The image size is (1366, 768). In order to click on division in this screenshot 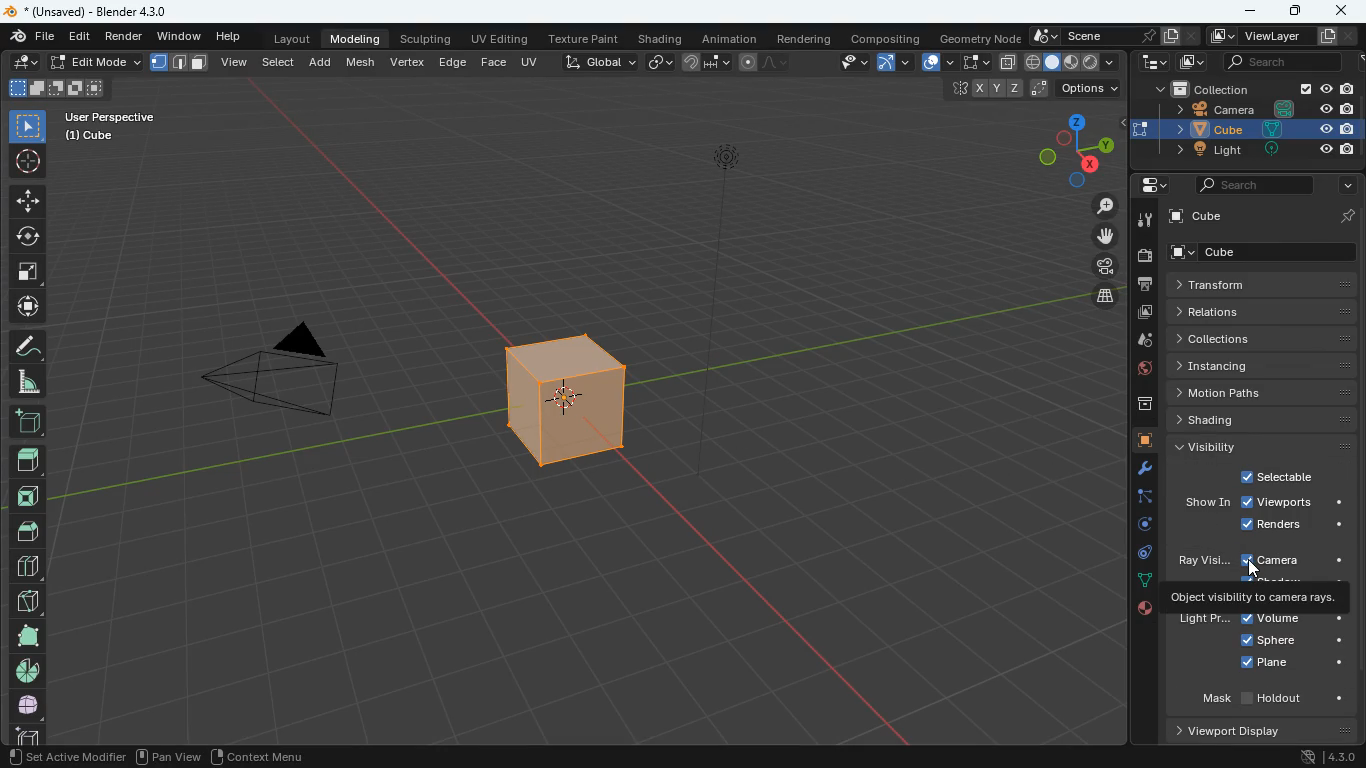, I will do `click(28, 566)`.